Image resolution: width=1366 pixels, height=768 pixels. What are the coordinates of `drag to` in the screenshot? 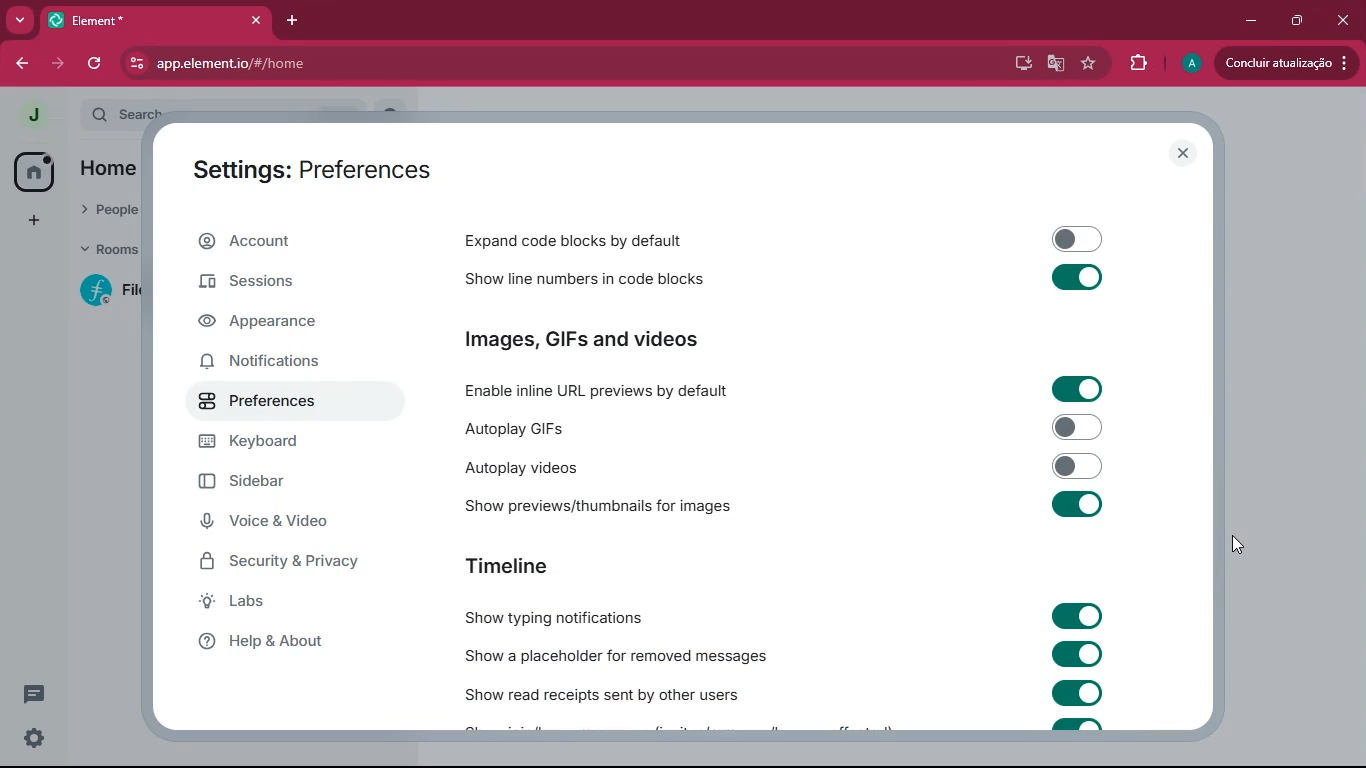 It's located at (1239, 545).